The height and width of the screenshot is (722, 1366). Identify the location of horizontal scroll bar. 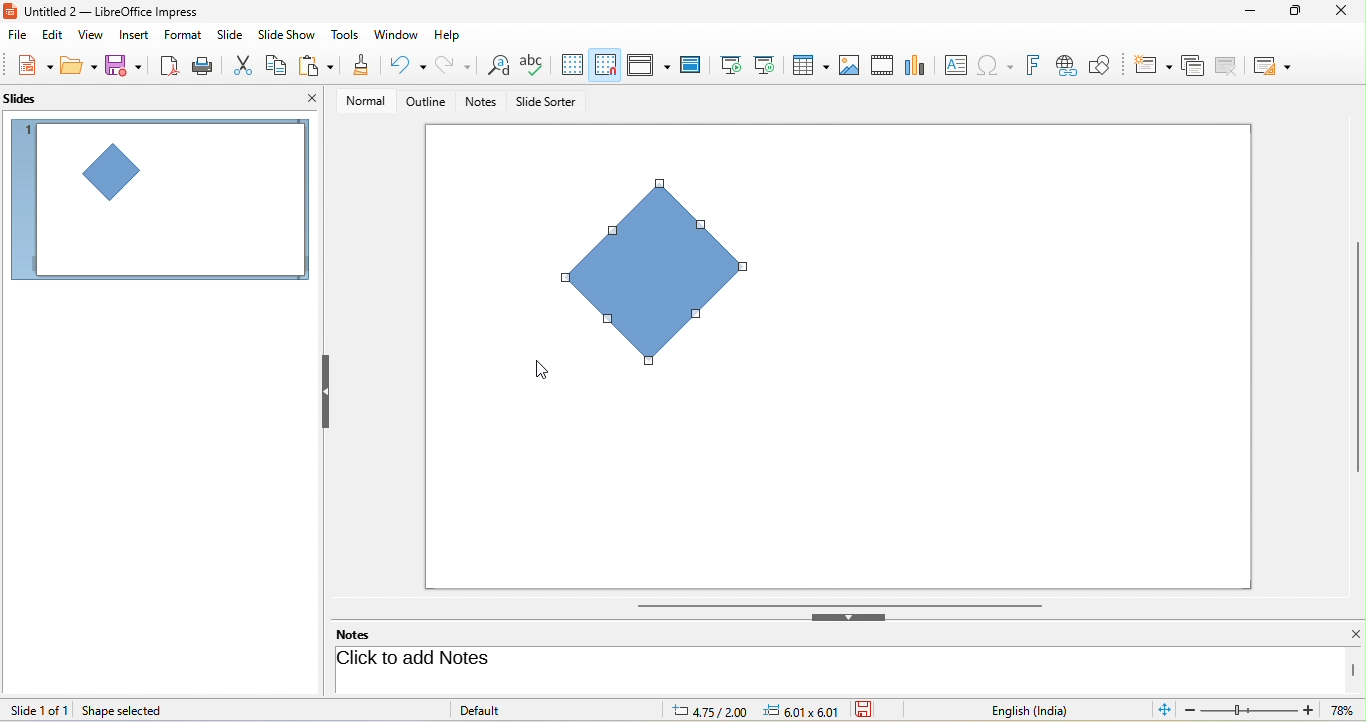
(839, 604).